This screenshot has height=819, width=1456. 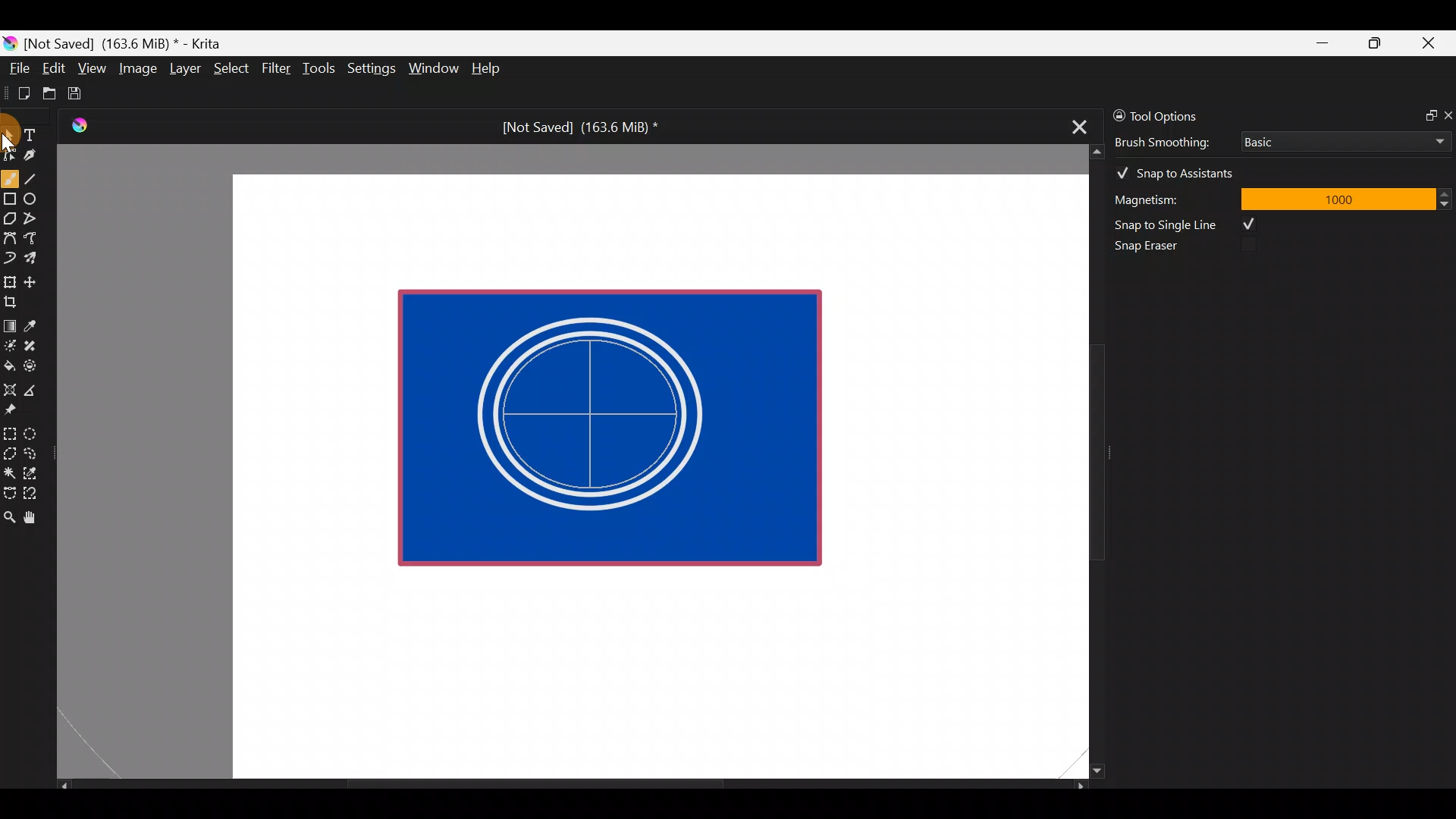 I want to click on Image, so click(x=137, y=68).